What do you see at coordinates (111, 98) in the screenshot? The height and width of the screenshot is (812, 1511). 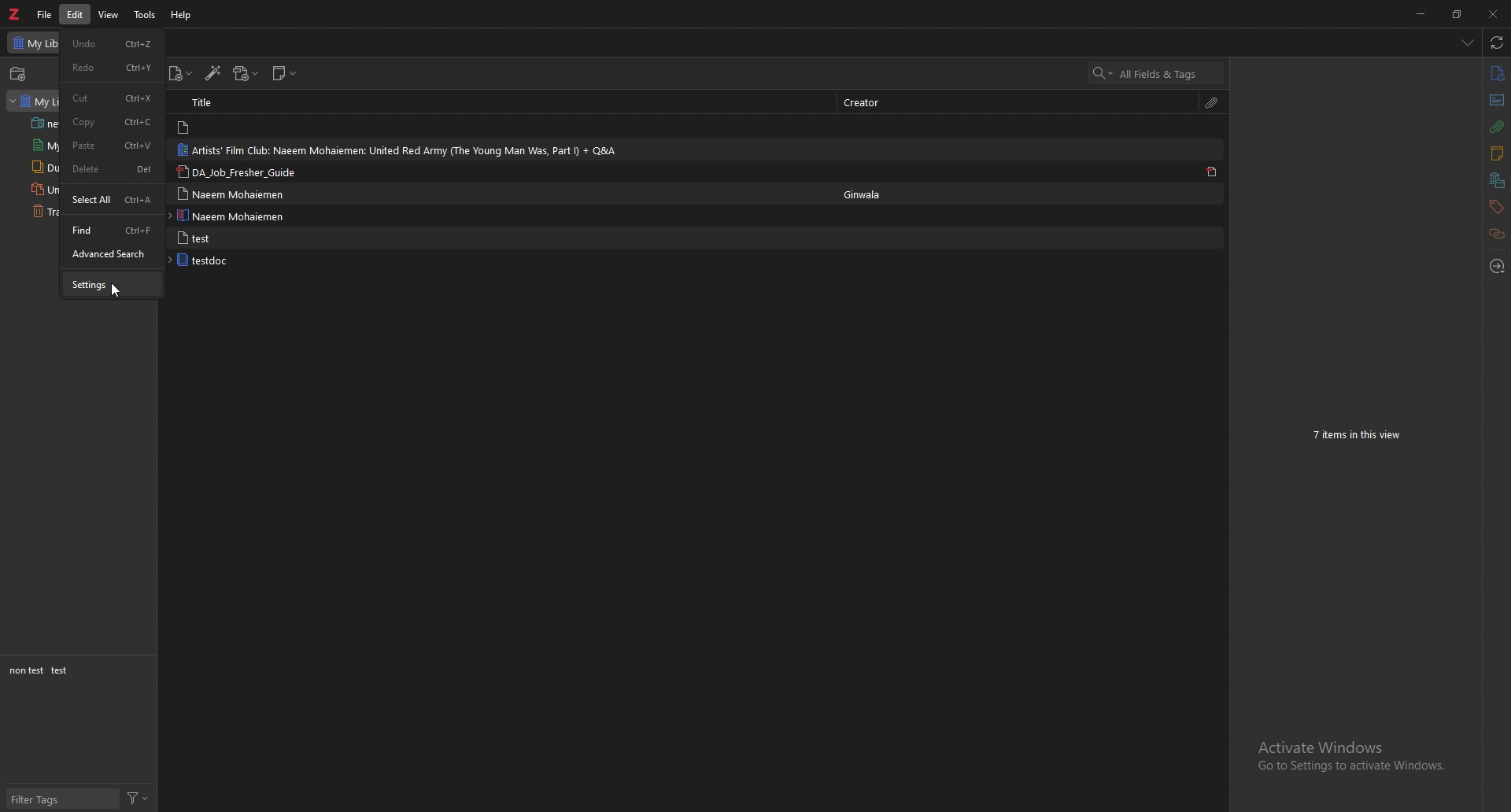 I see `cut` at bounding box center [111, 98].